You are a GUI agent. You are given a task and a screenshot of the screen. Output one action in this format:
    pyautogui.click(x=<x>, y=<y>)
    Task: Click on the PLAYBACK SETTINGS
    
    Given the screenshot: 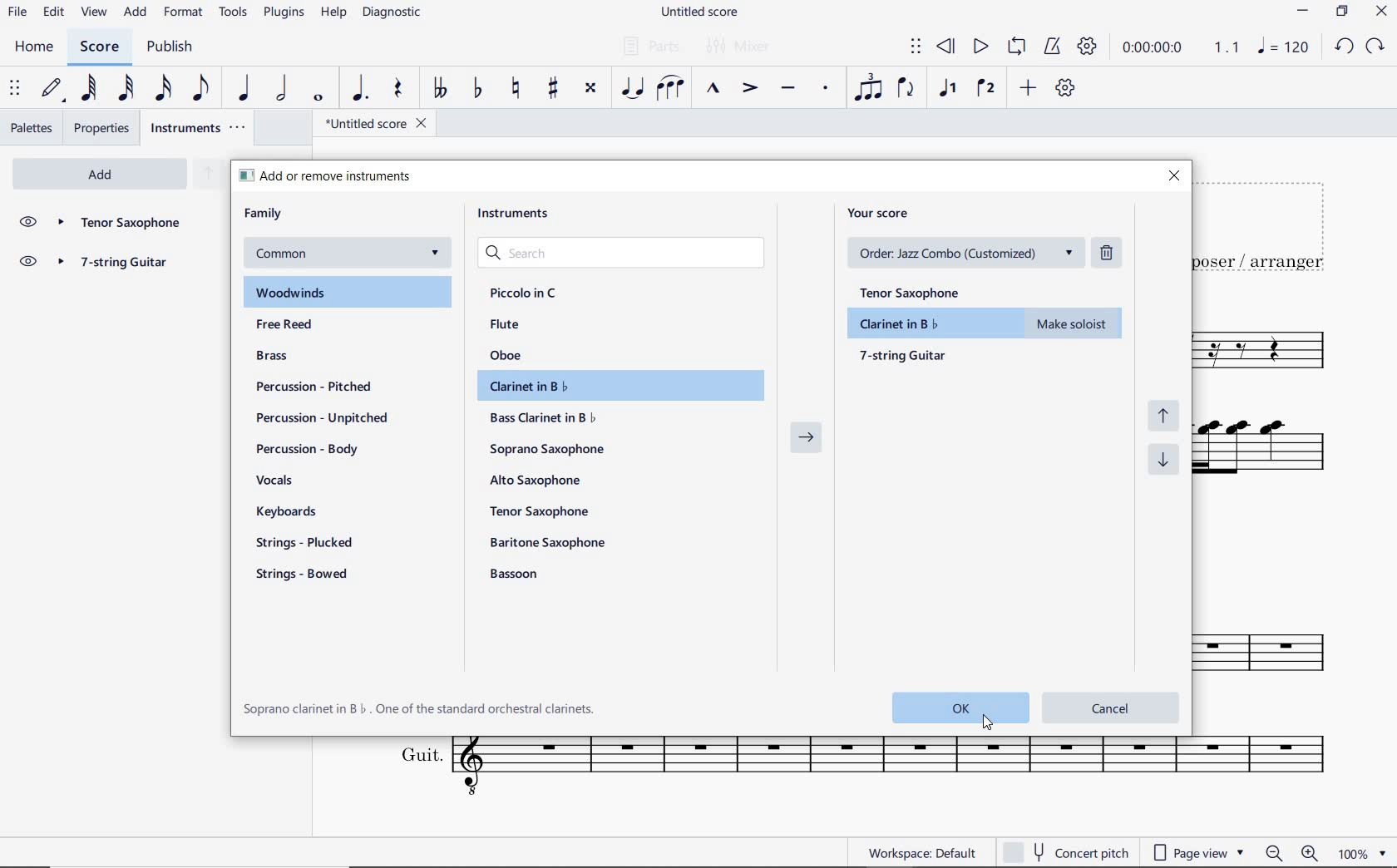 What is the action you would take?
    pyautogui.click(x=1085, y=47)
    